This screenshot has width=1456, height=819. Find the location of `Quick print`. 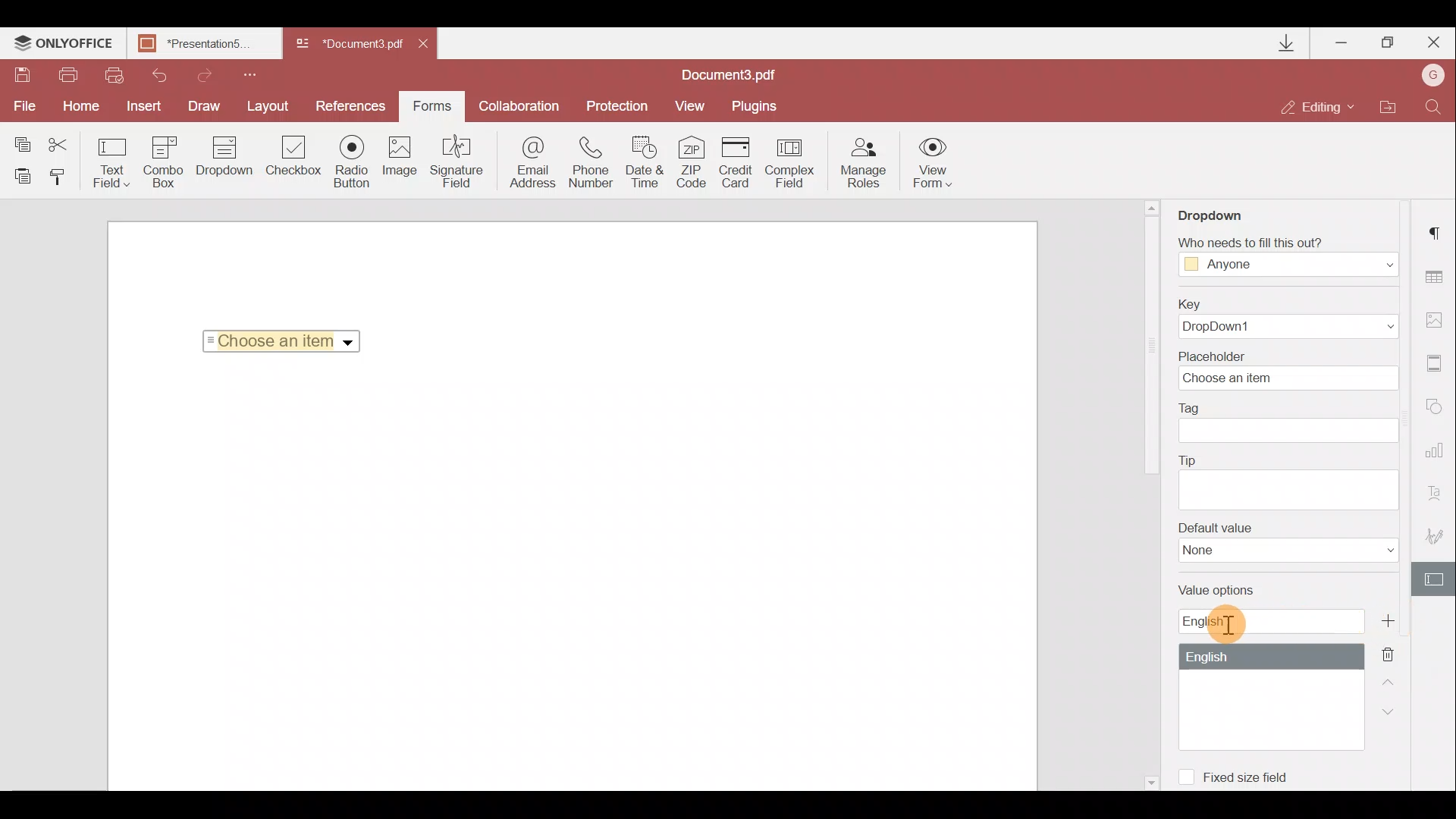

Quick print is located at coordinates (112, 74).